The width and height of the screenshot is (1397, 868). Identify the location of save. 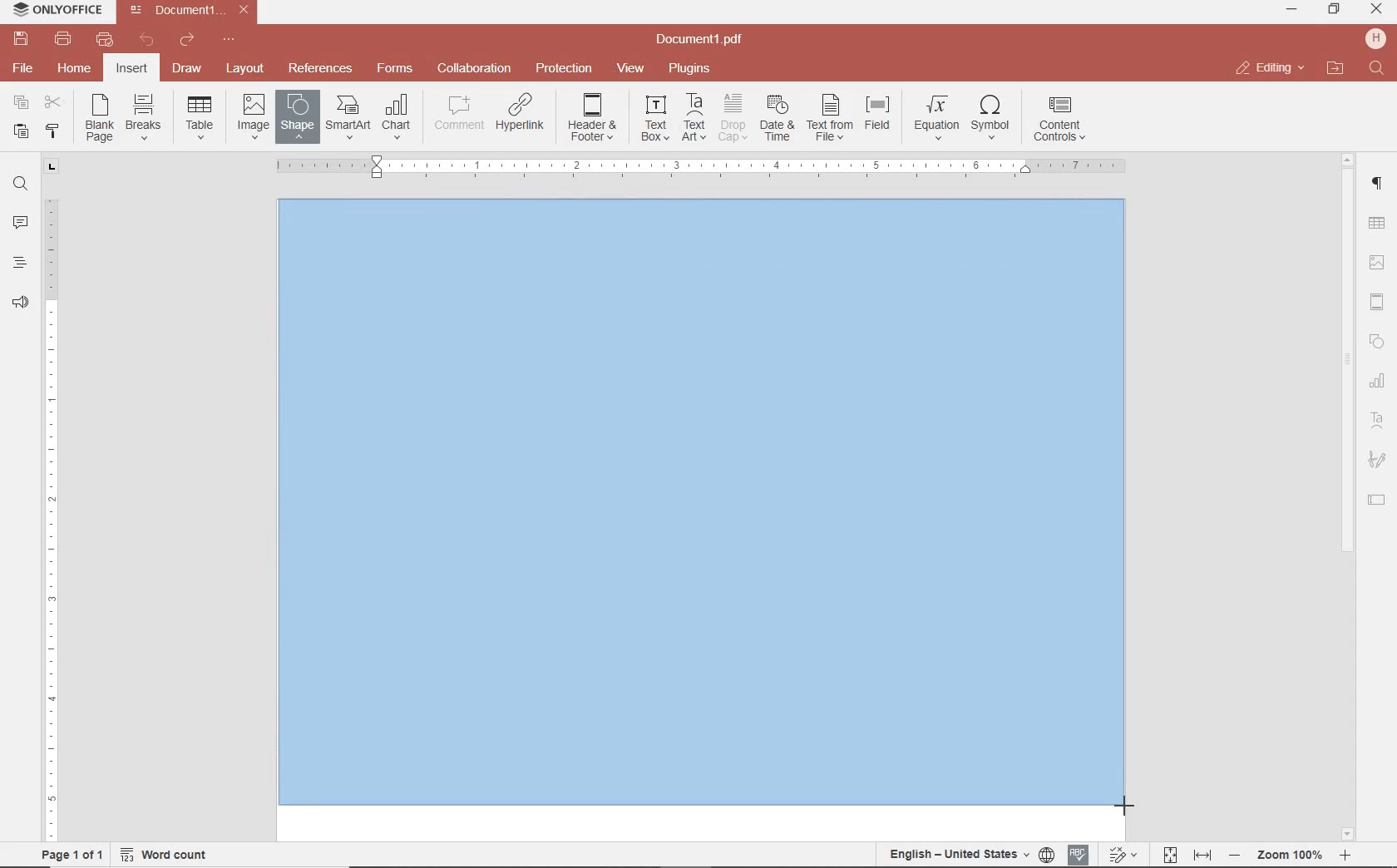
(19, 39).